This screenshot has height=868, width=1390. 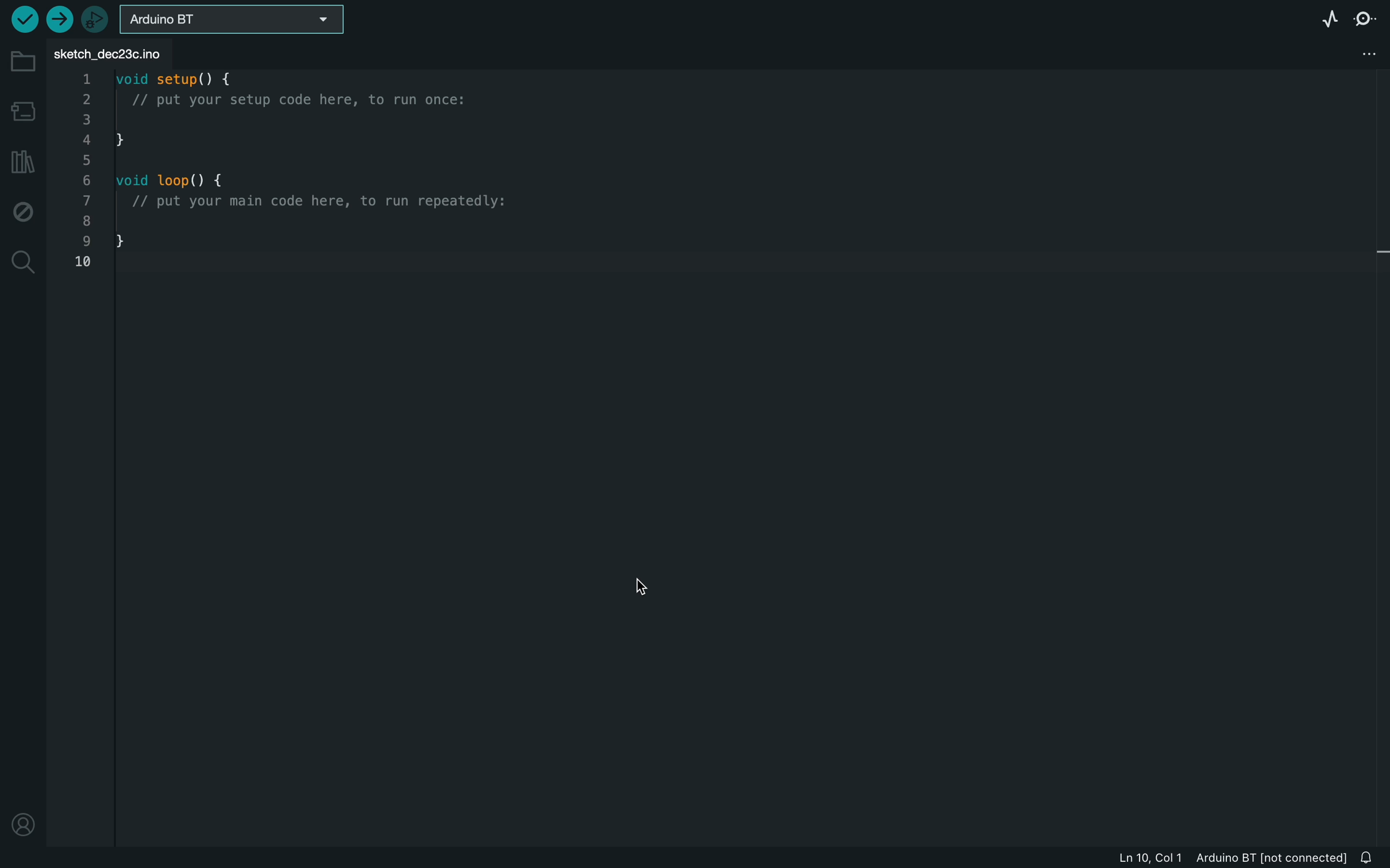 What do you see at coordinates (59, 18) in the screenshot?
I see `upload` at bounding box center [59, 18].